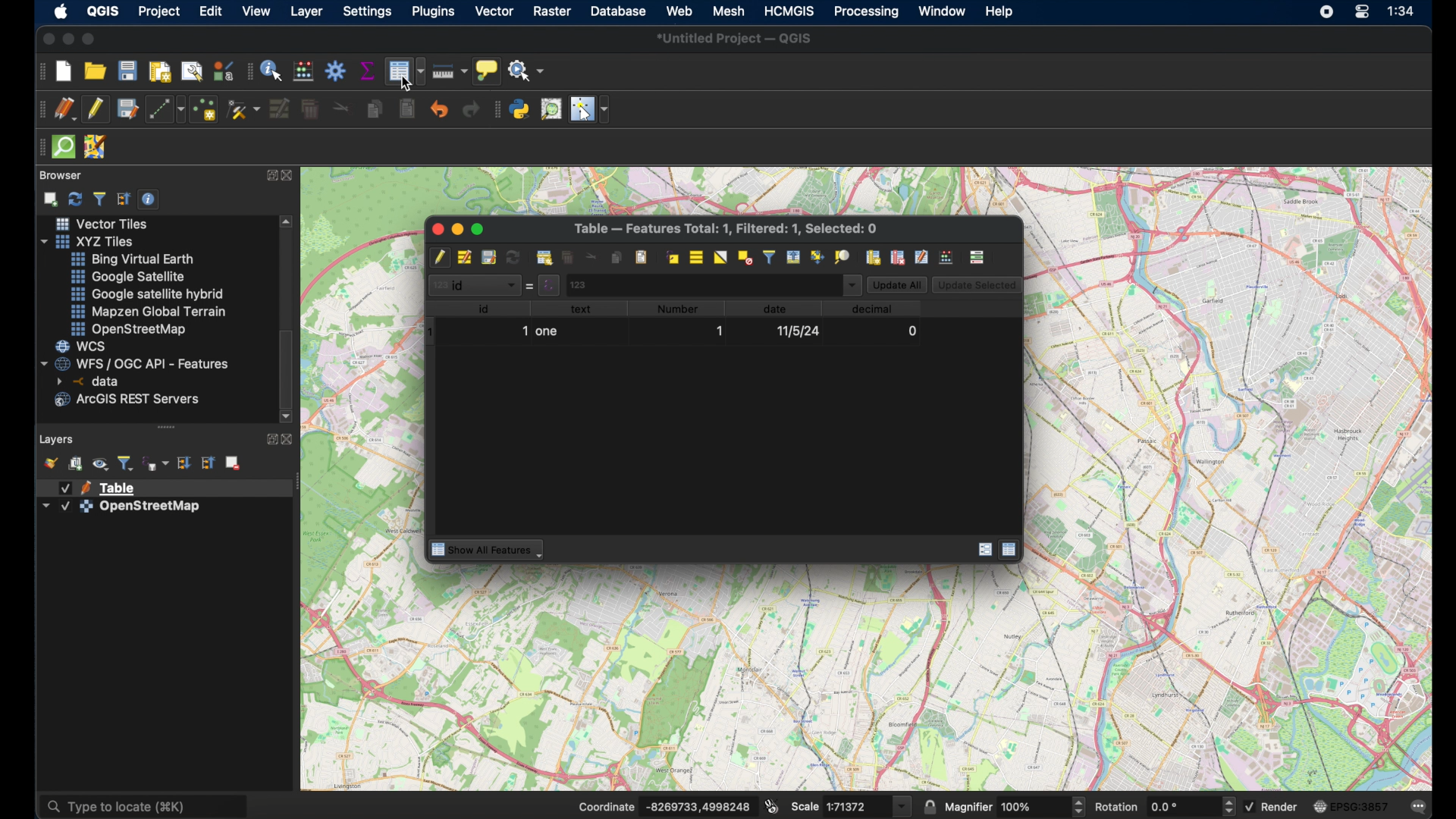  I want to click on toggle editing, so click(94, 108).